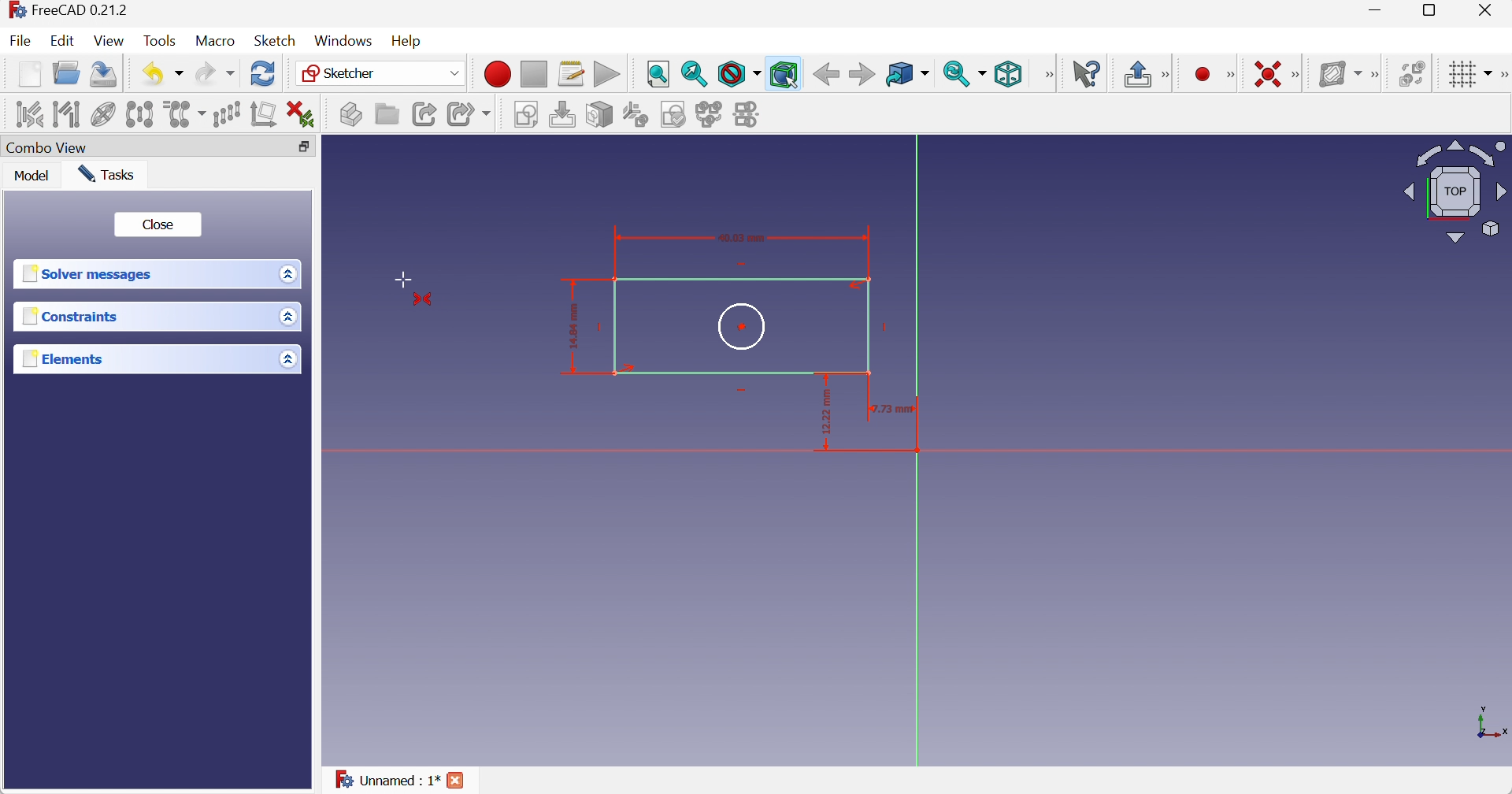 This screenshot has height=794, width=1512. What do you see at coordinates (386, 113) in the screenshot?
I see `Create group` at bounding box center [386, 113].